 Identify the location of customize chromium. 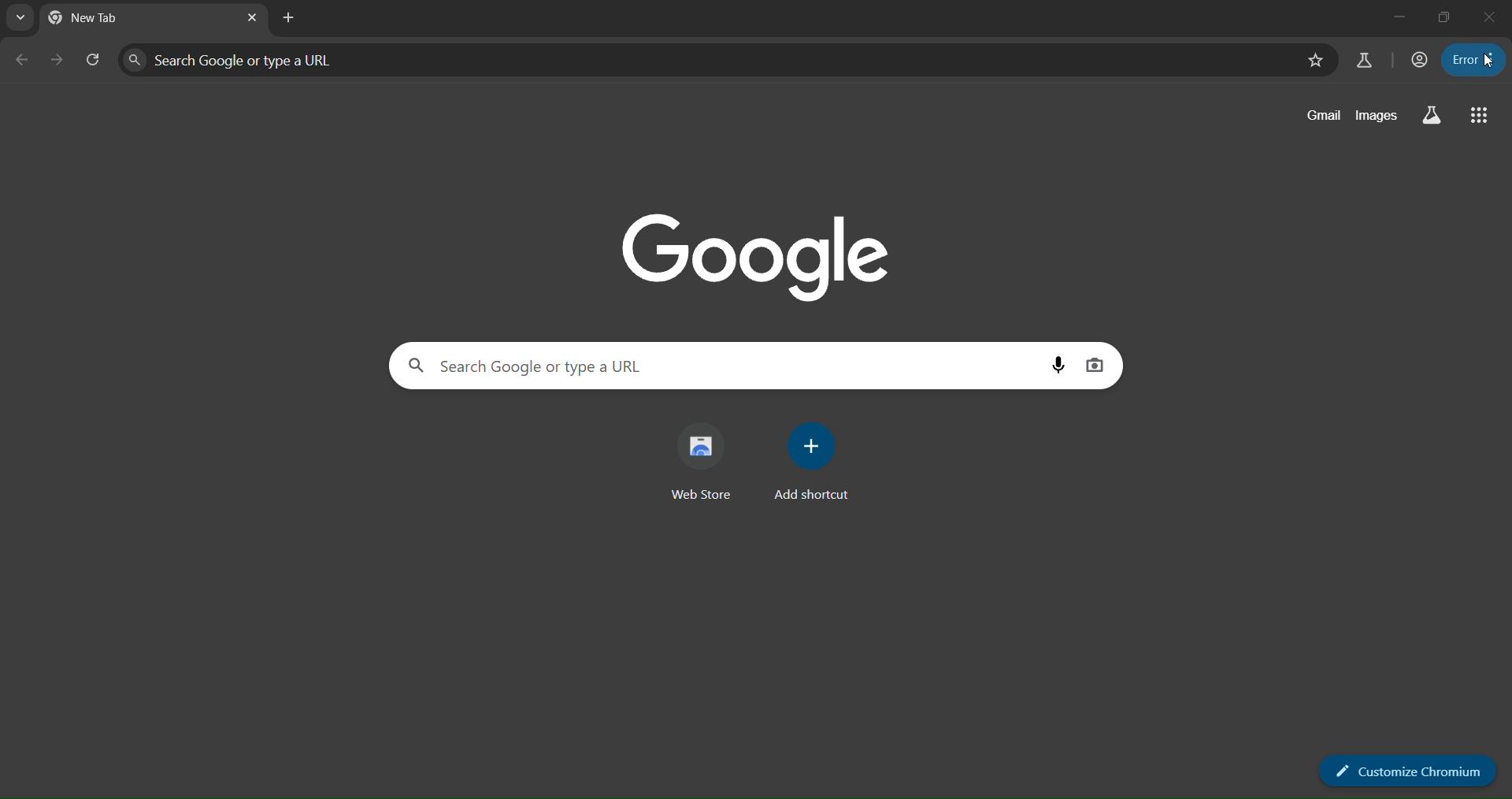
(1408, 772).